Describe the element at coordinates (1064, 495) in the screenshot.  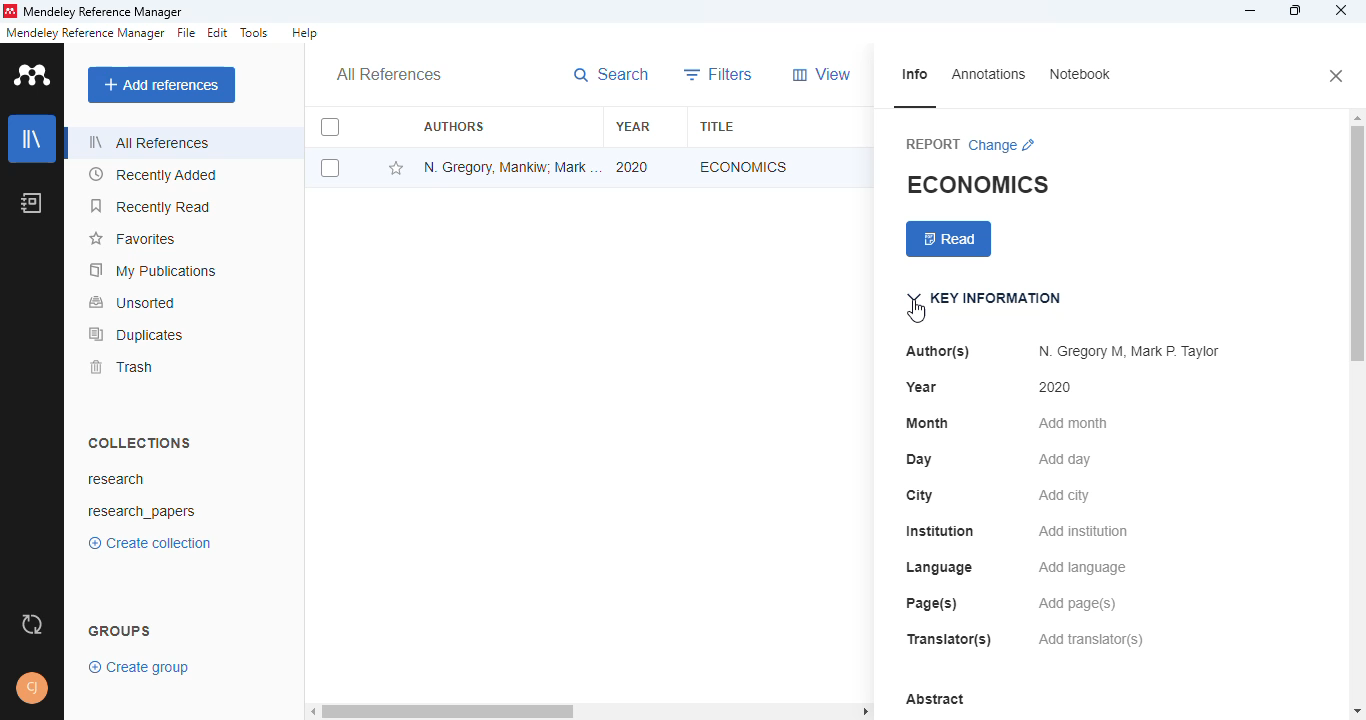
I see `add city` at that location.